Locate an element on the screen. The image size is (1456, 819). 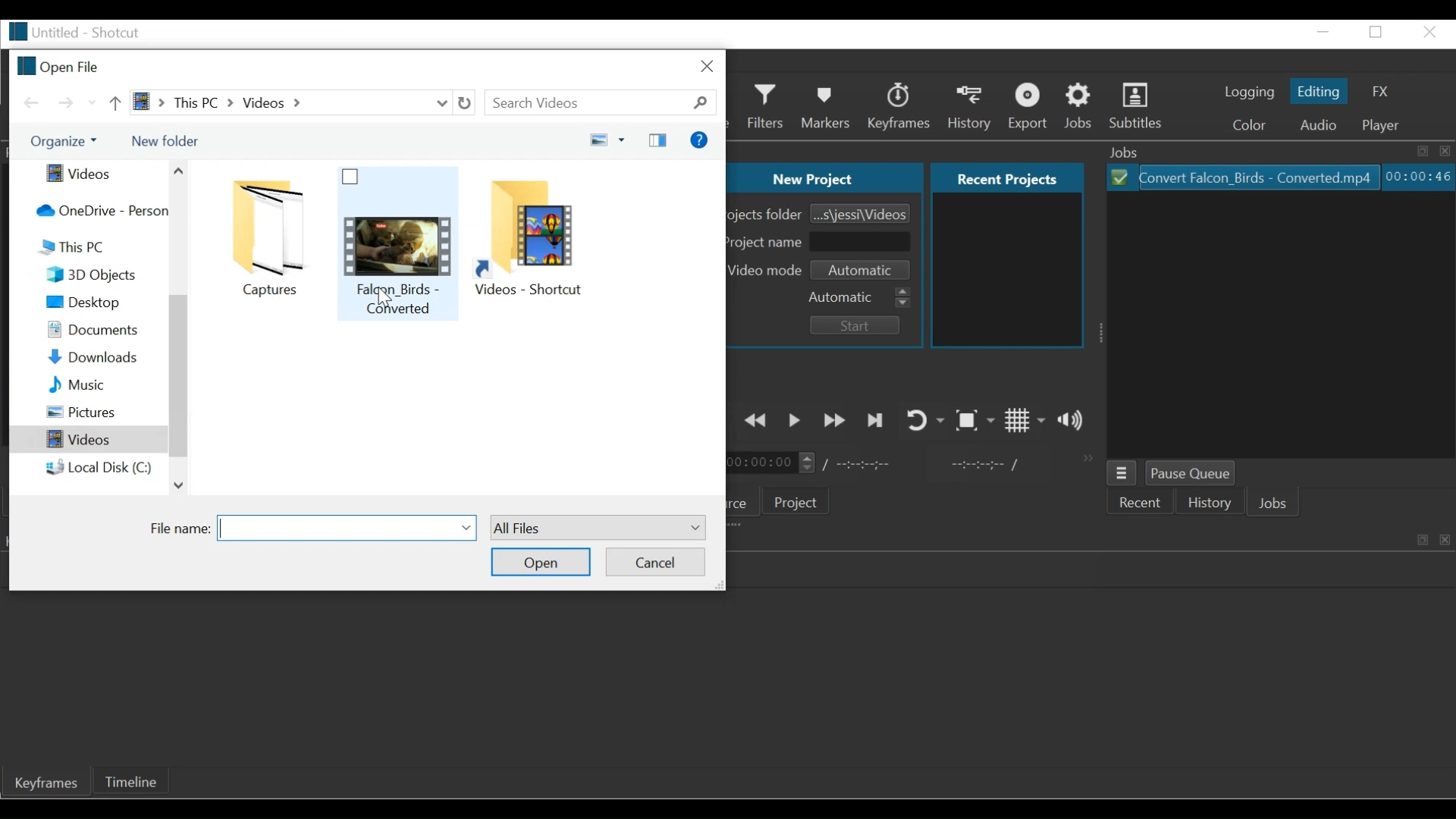
Project is located at coordinates (799, 501).